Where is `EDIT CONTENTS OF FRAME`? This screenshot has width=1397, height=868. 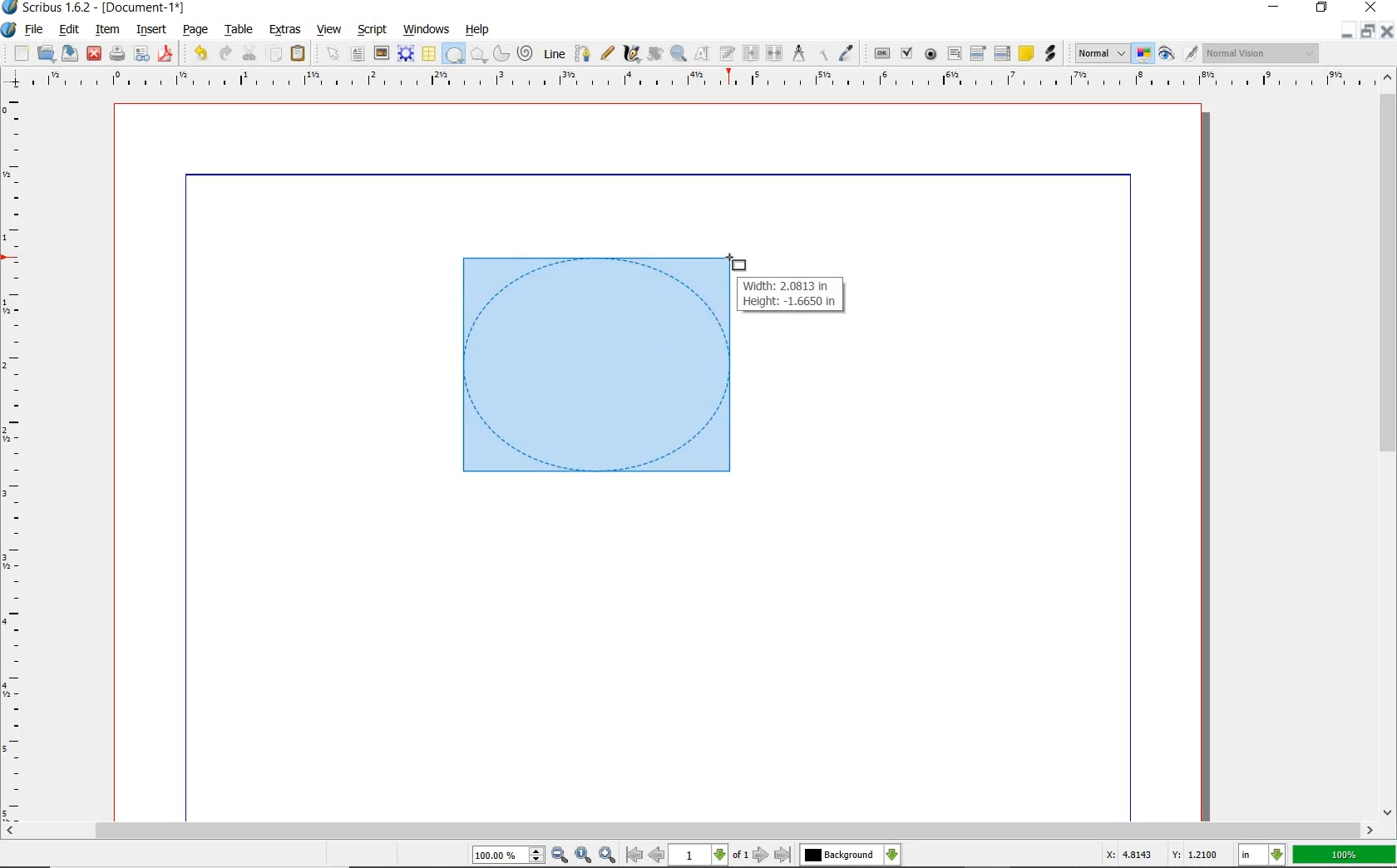
EDIT CONTENTS OF FRAME is located at coordinates (702, 52).